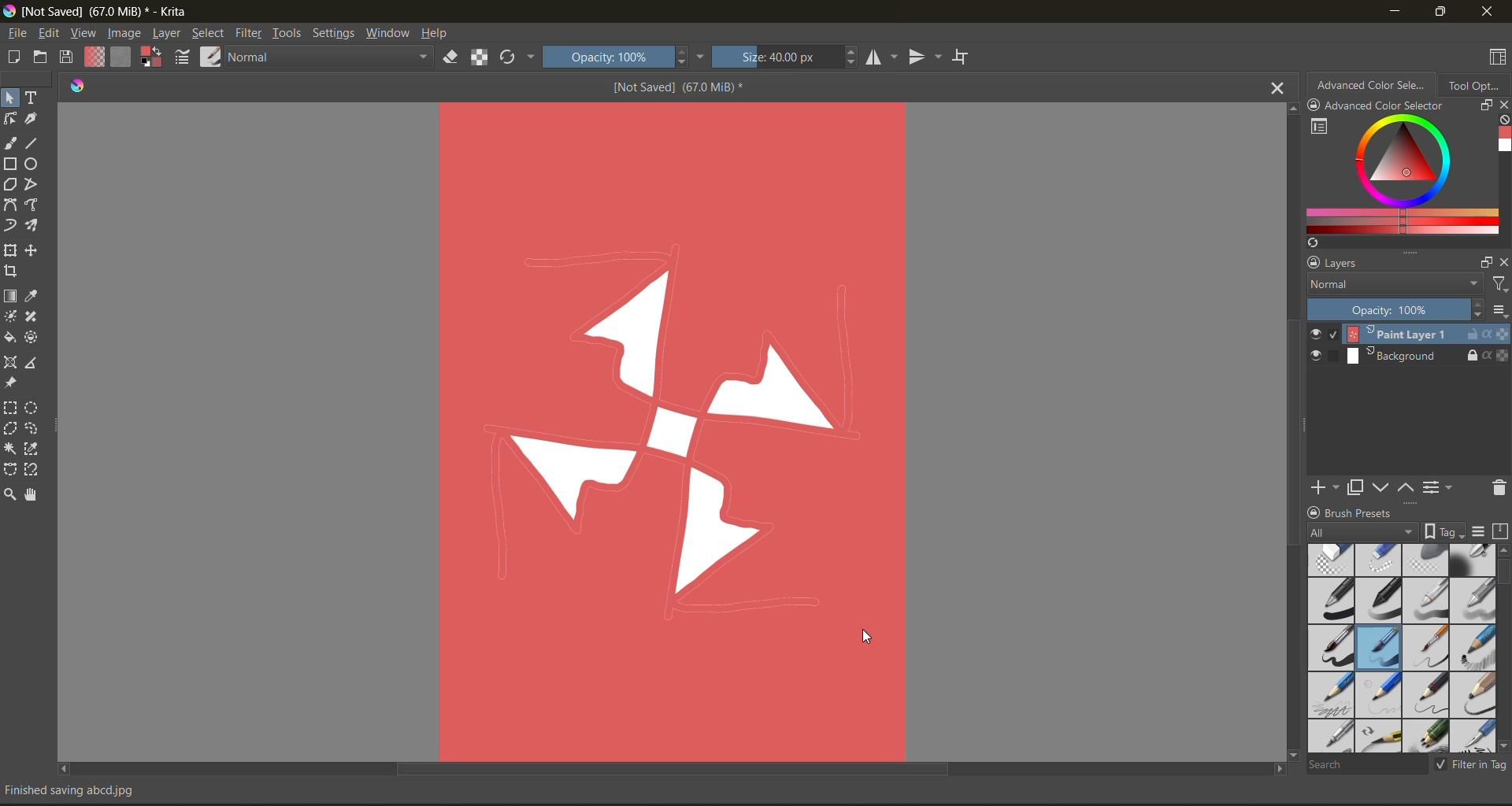  Describe the element at coordinates (95, 57) in the screenshot. I see `fill gradients` at that location.